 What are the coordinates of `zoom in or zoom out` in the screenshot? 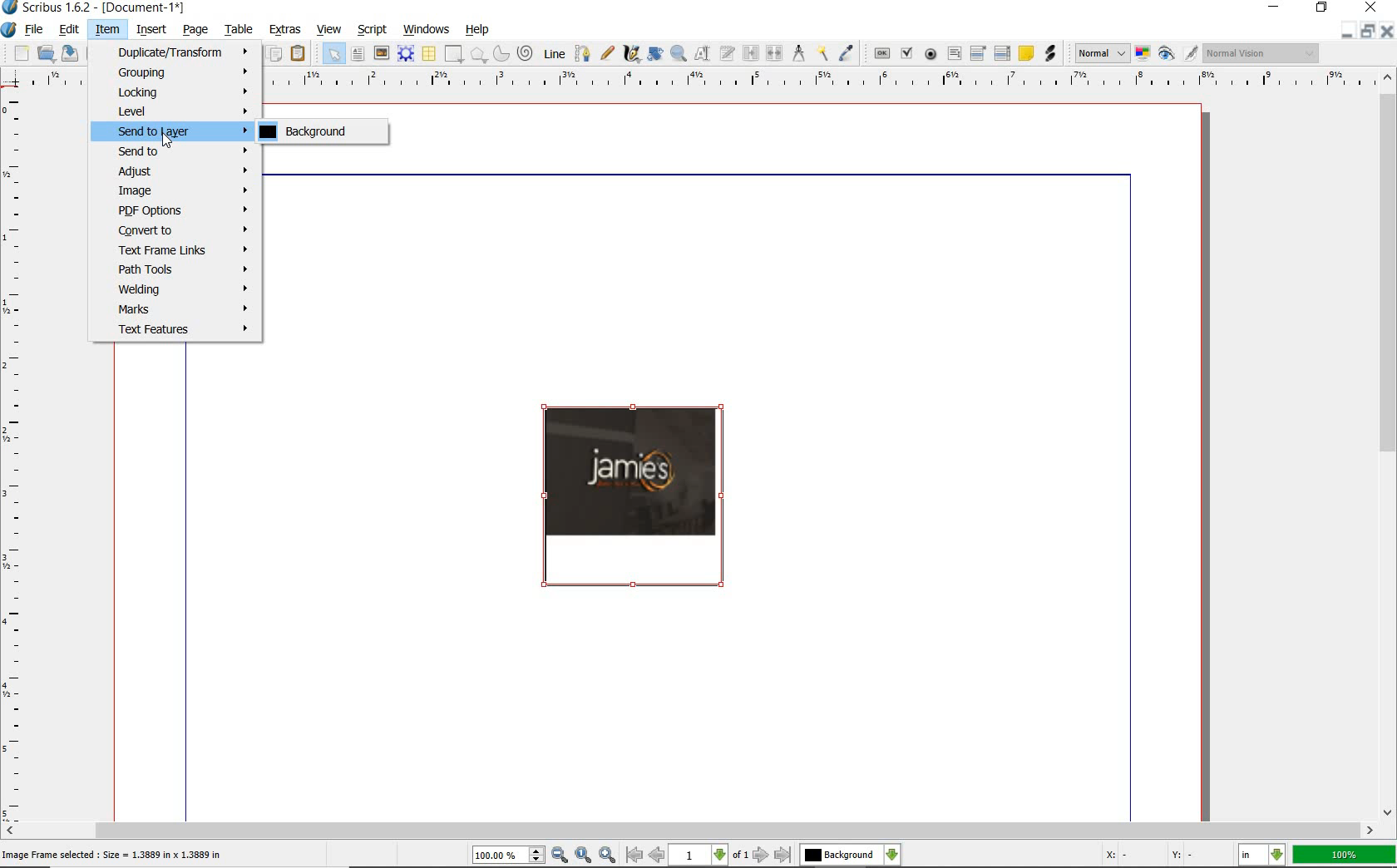 It's located at (679, 53).